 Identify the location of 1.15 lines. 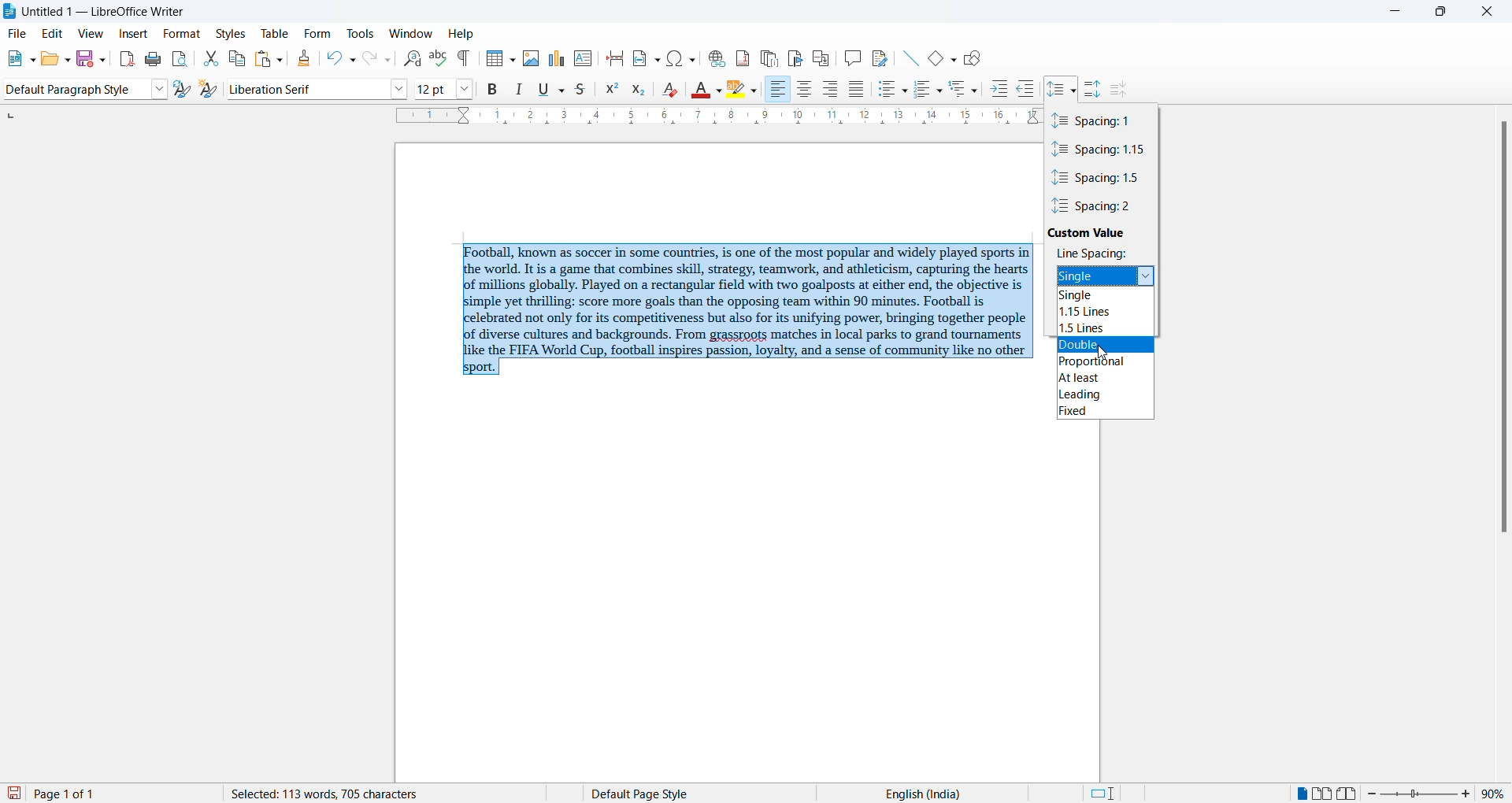
(1108, 311).